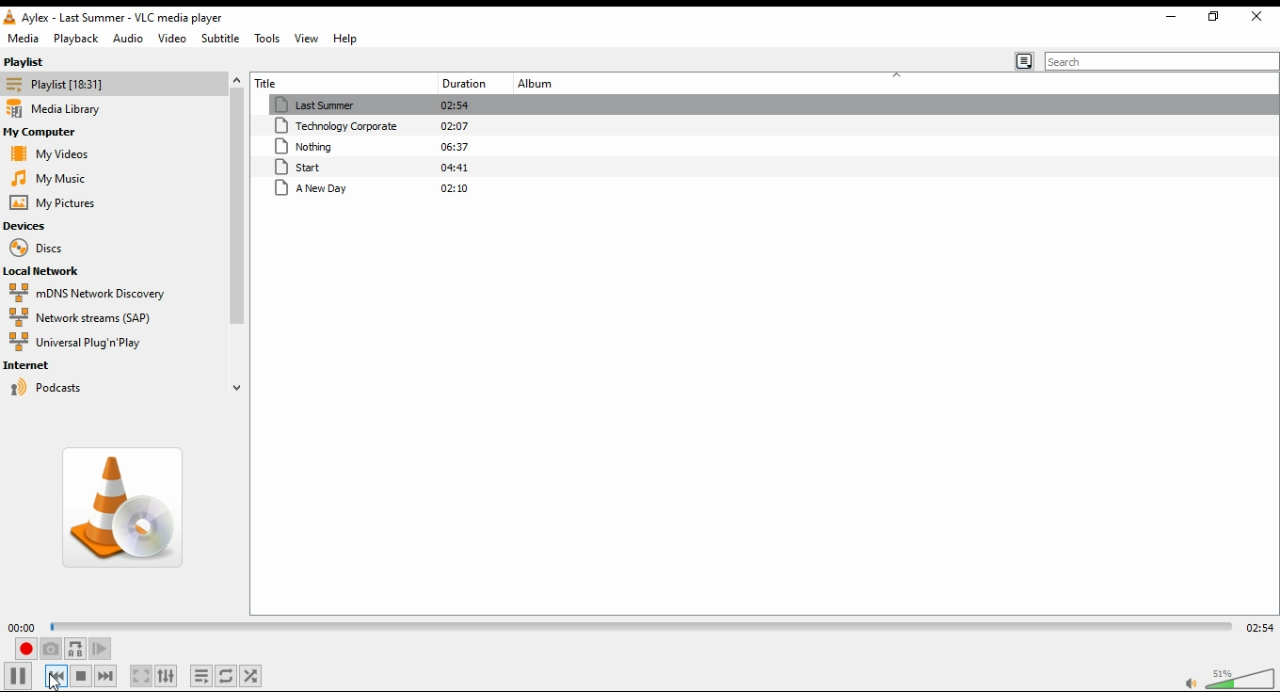 This screenshot has width=1280, height=692. Describe the element at coordinates (324, 104) in the screenshot. I see `last summer` at that location.